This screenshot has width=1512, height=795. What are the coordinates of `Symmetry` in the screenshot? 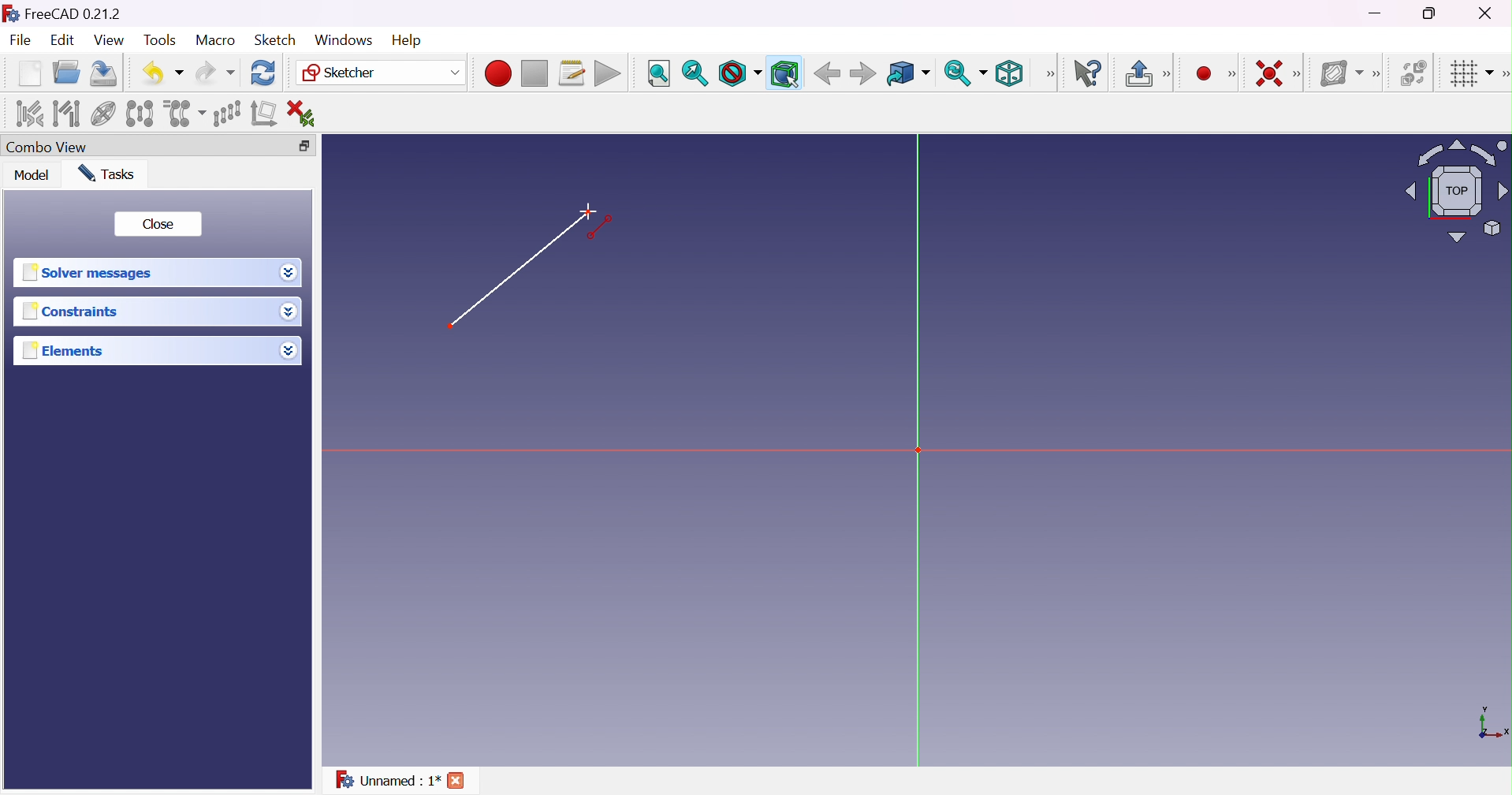 It's located at (139, 114).